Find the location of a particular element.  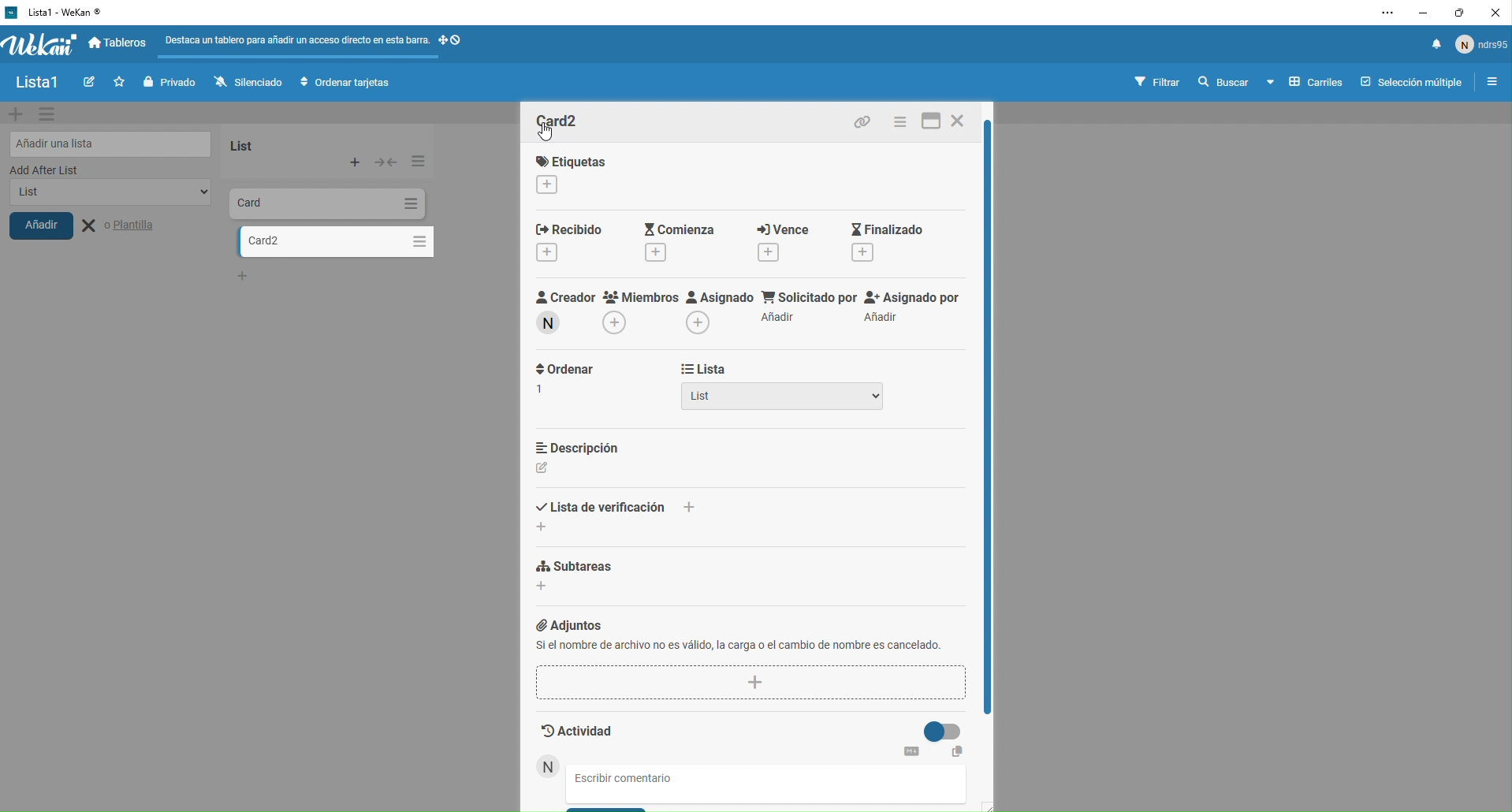

list is located at coordinates (105, 197).